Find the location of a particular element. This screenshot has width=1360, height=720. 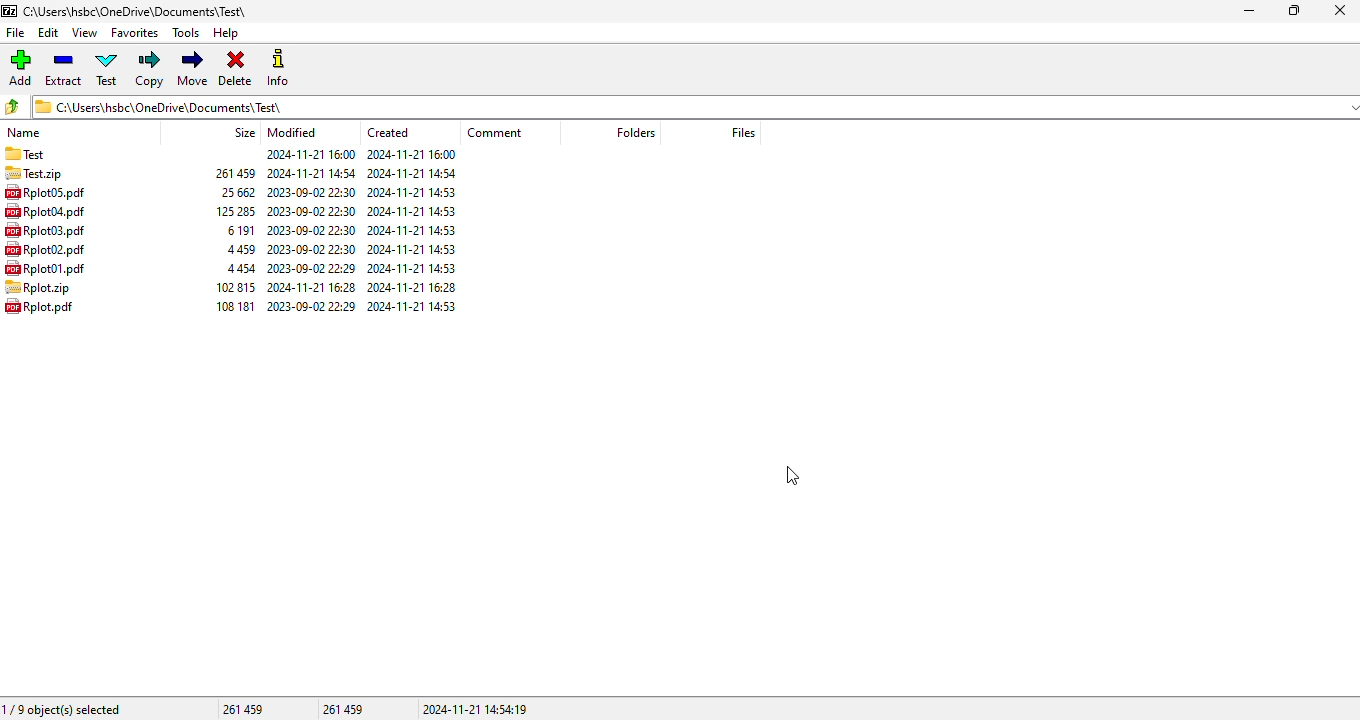

created date & time is located at coordinates (412, 286).